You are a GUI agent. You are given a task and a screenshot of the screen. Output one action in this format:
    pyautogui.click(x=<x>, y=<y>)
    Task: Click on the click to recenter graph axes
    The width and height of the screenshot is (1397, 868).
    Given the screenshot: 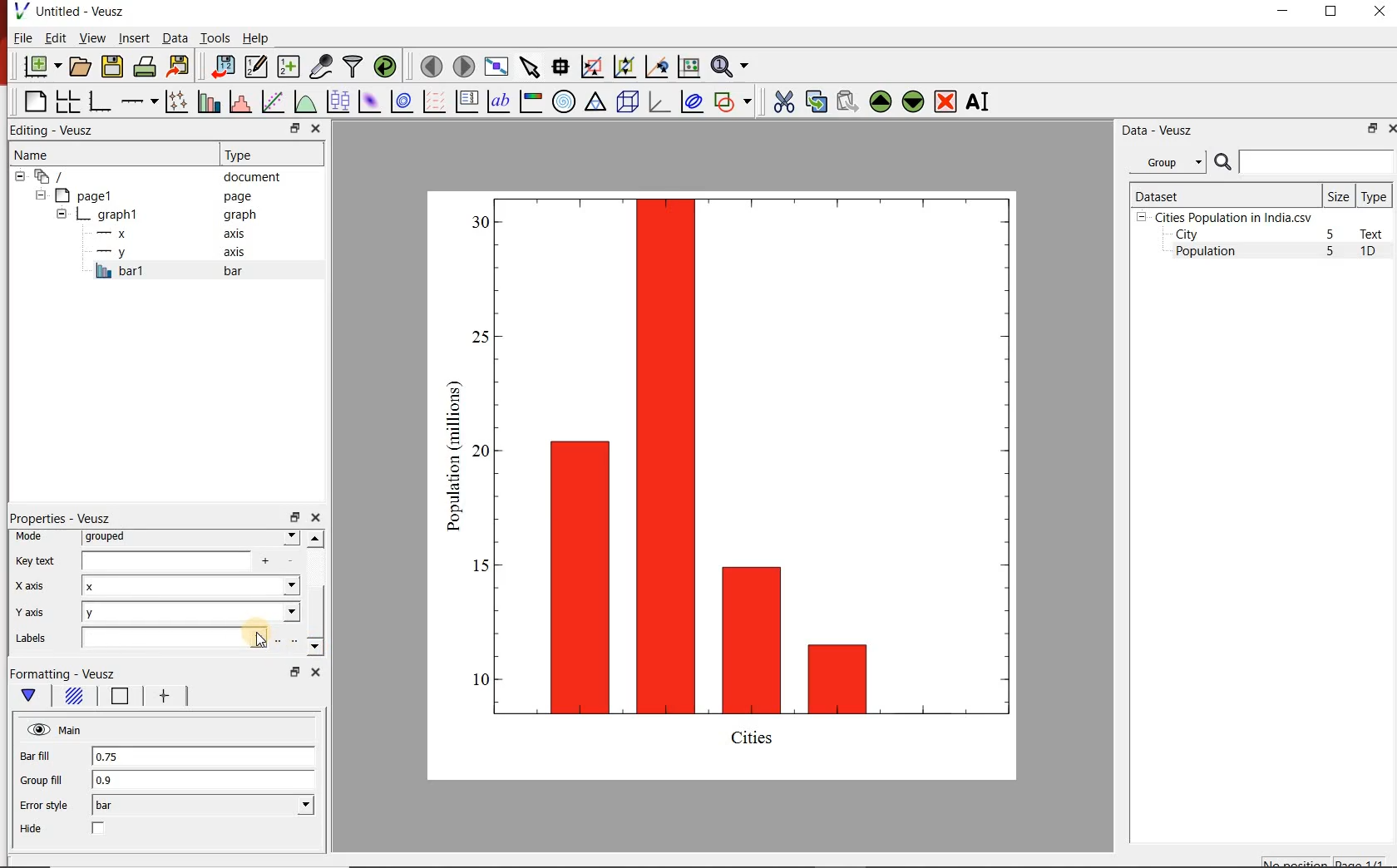 What is the action you would take?
    pyautogui.click(x=655, y=67)
    